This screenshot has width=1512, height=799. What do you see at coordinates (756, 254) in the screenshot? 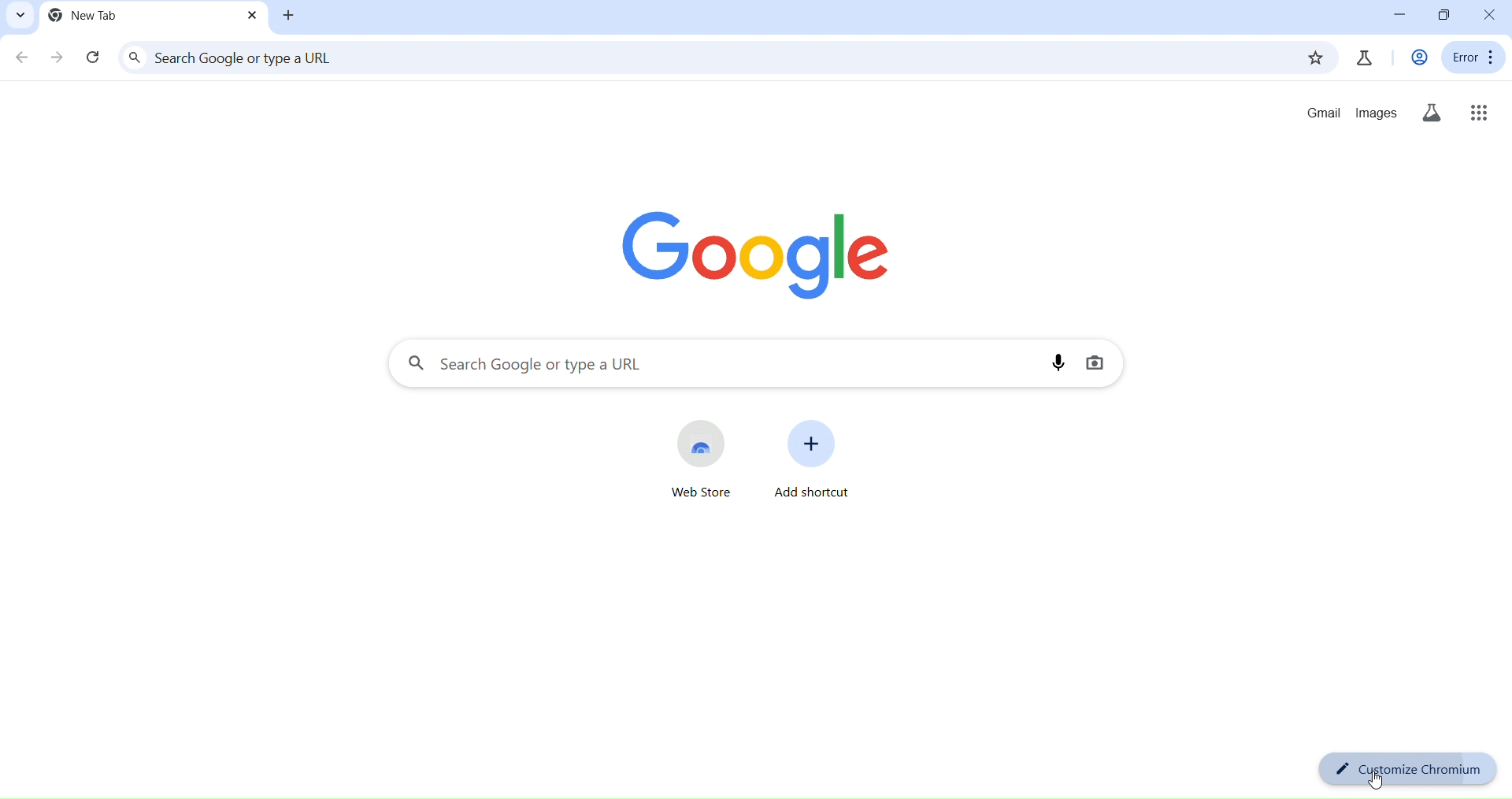
I see `image` at bounding box center [756, 254].